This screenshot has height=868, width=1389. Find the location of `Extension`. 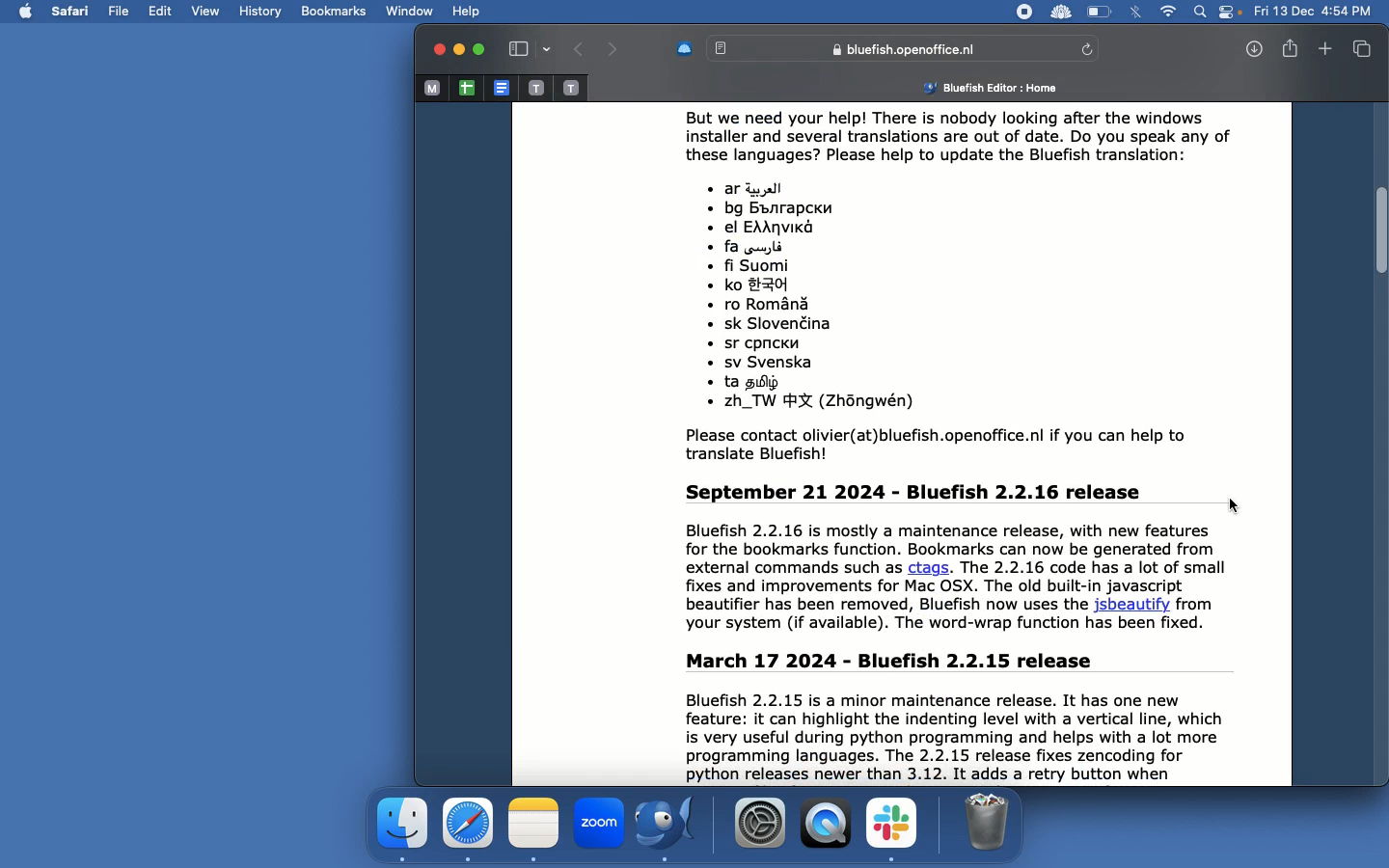

Extension is located at coordinates (684, 49).